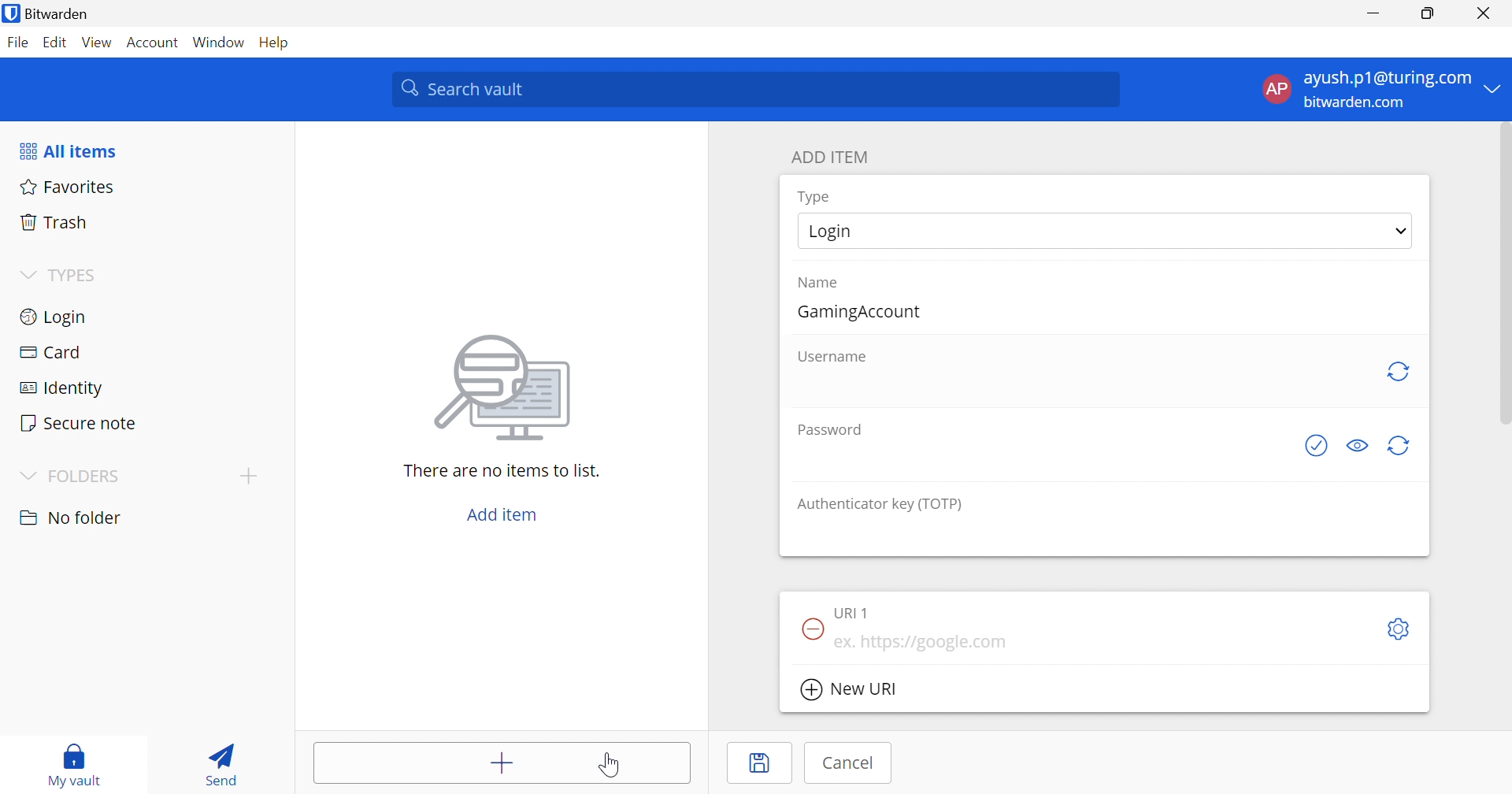 The image size is (1512, 794). Describe the element at coordinates (848, 689) in the screenshot. I see `New URI` at that location.